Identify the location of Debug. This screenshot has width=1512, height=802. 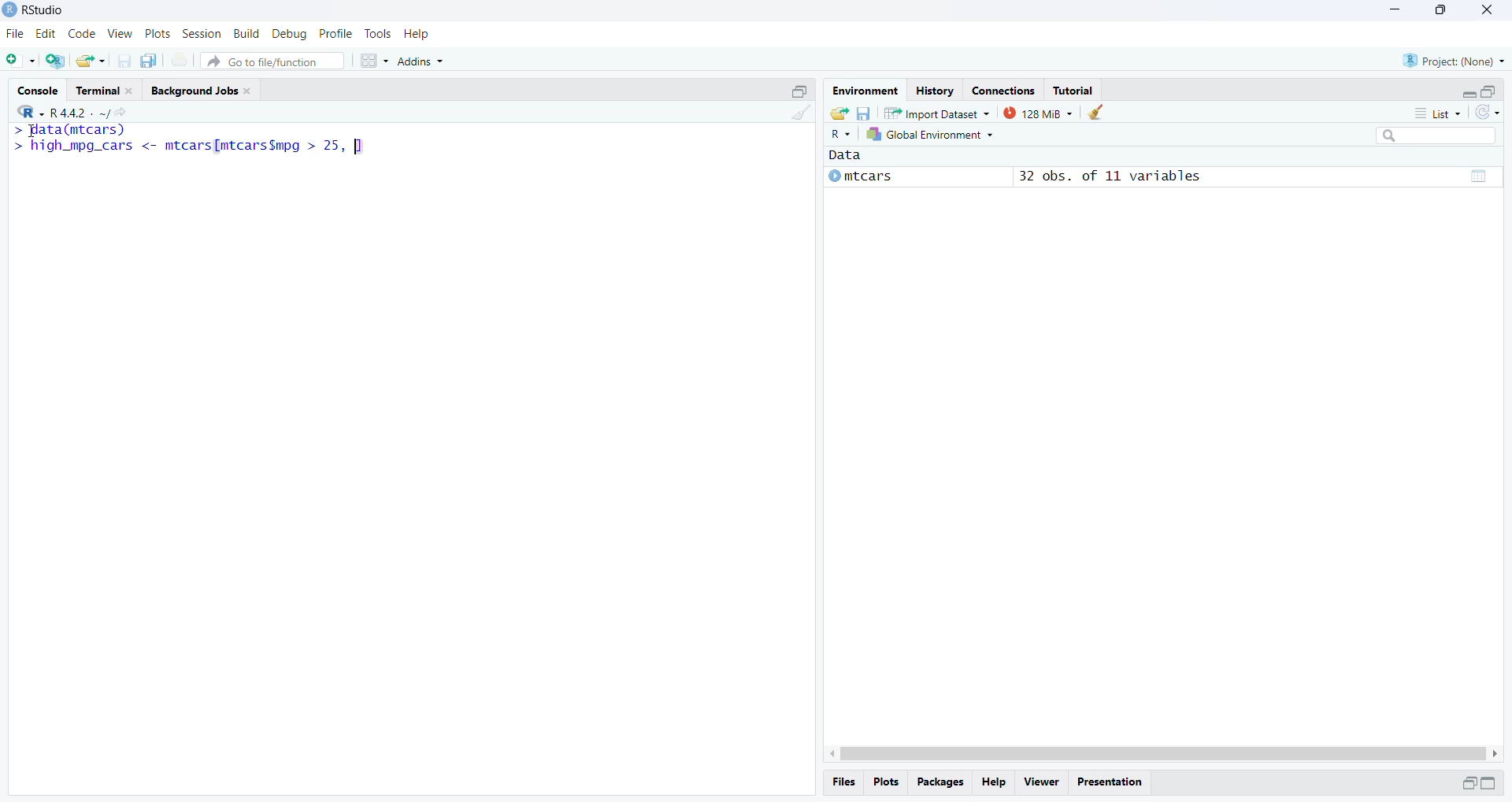
(291, 34).